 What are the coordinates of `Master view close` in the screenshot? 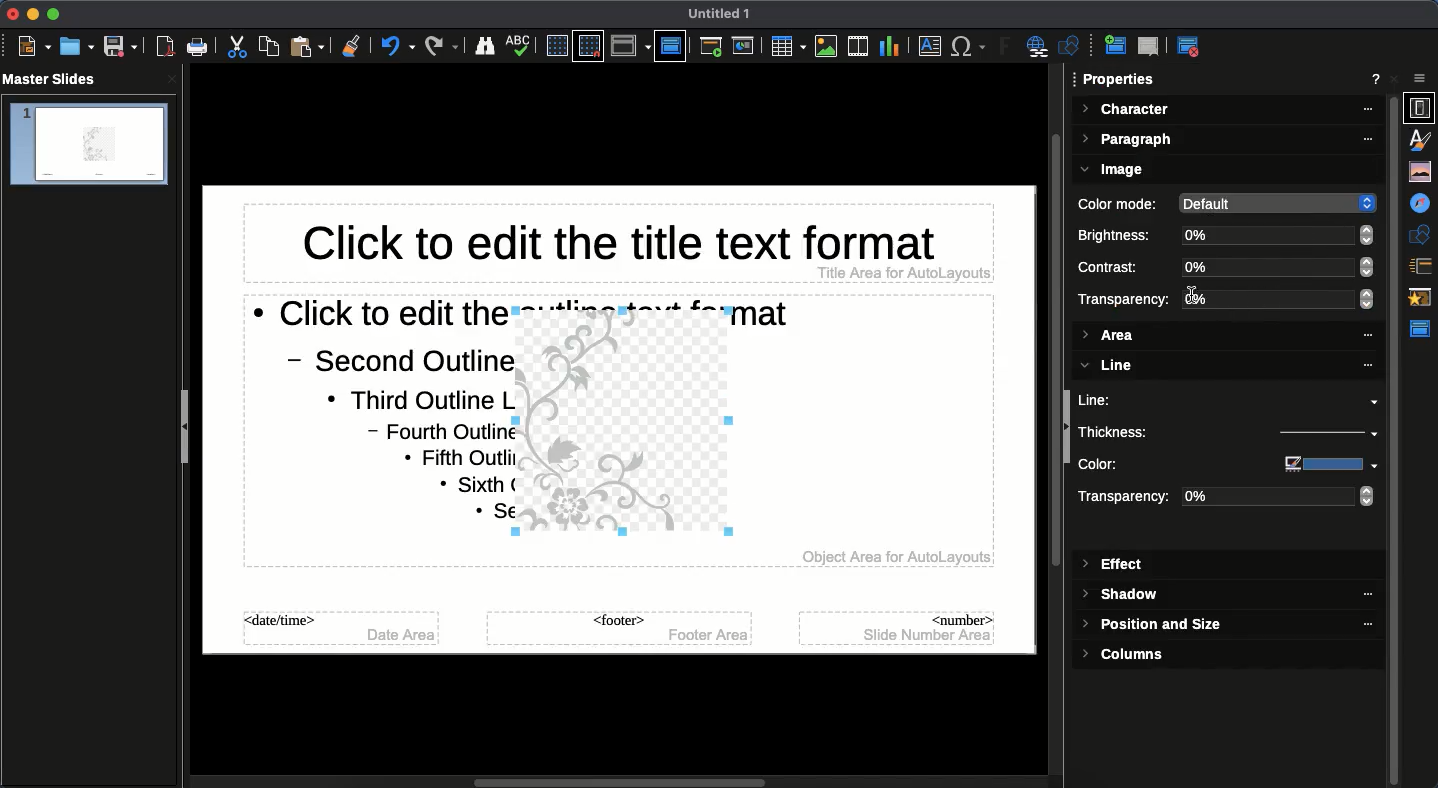 It's located at (1192, 46).